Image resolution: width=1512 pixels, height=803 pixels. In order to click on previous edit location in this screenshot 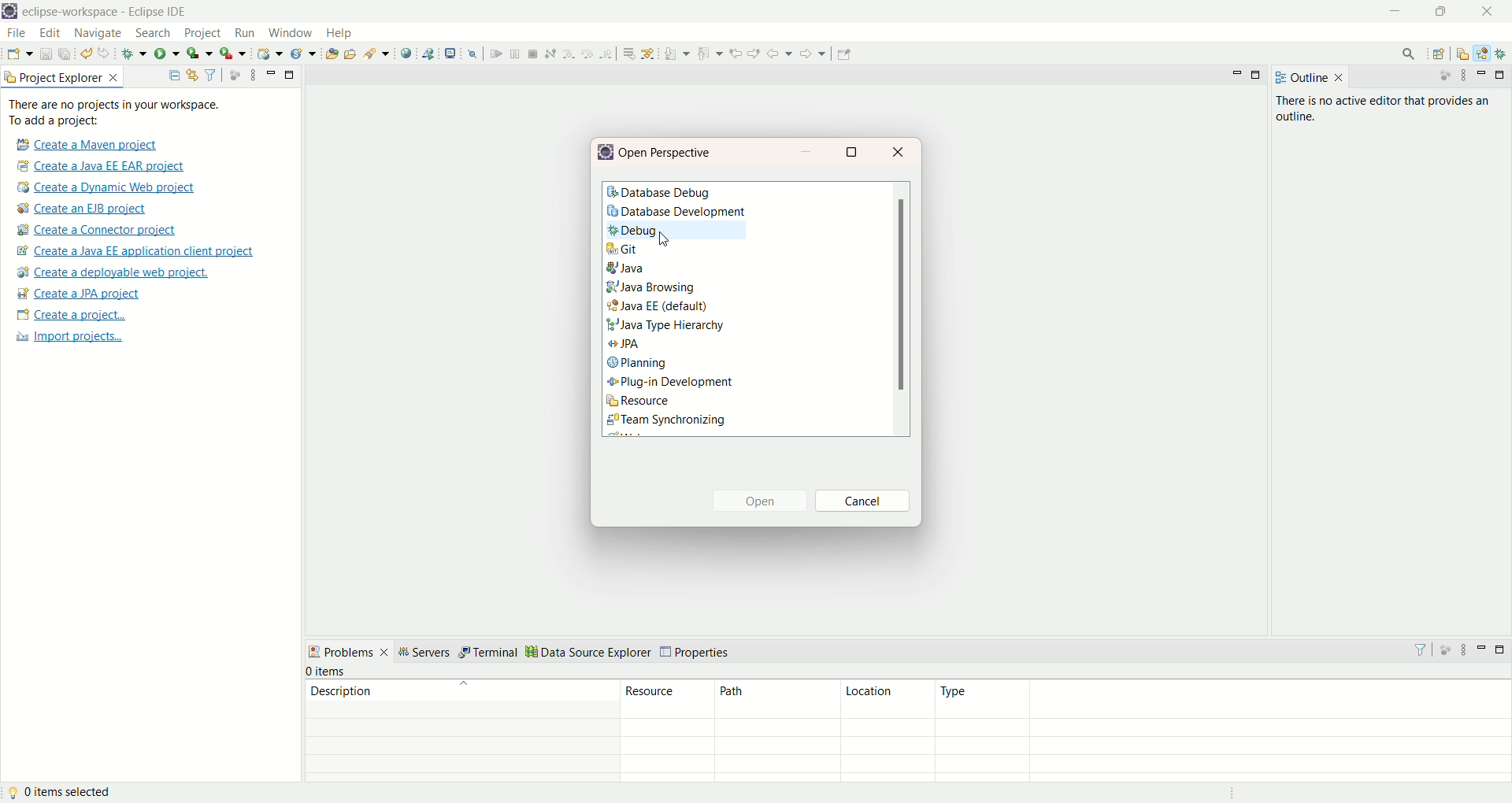, I will do `click(754, 54)`.